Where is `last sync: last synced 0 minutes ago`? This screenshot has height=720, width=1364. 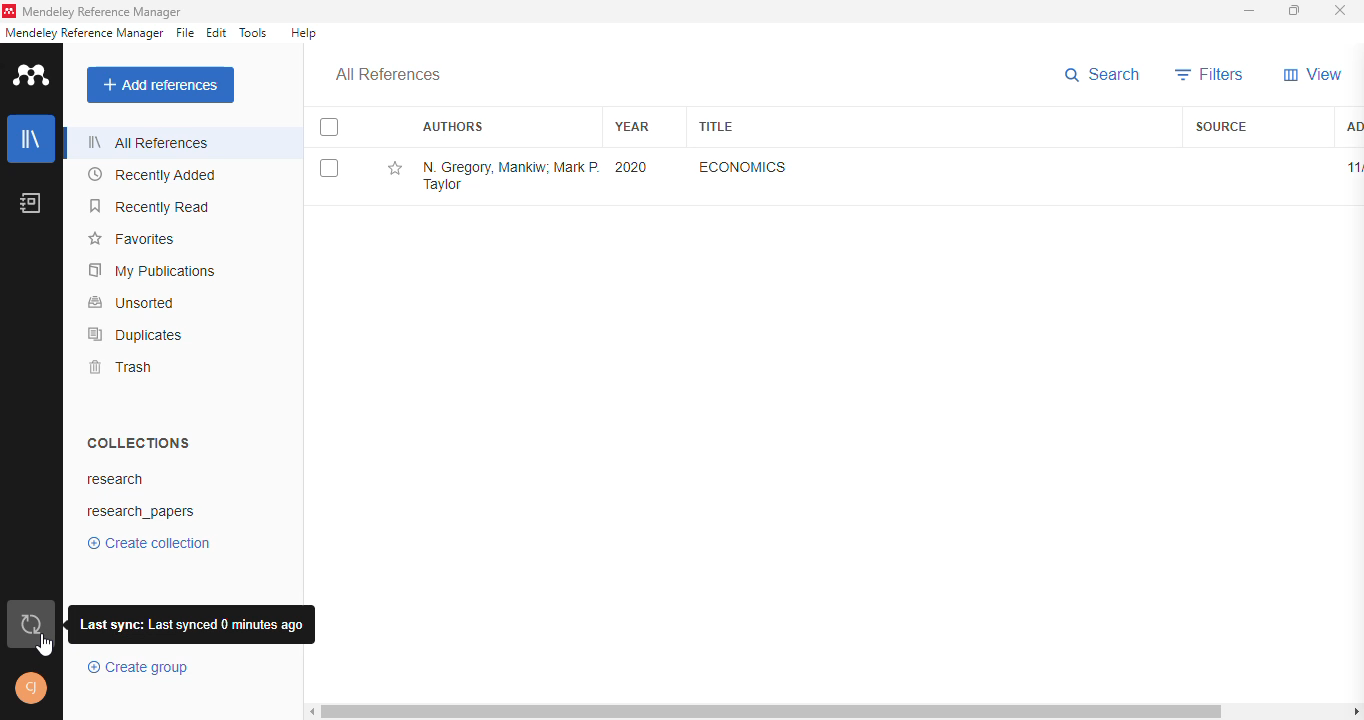 last sync: last synced 0 minutes ago is located at coordinates (190, 624).